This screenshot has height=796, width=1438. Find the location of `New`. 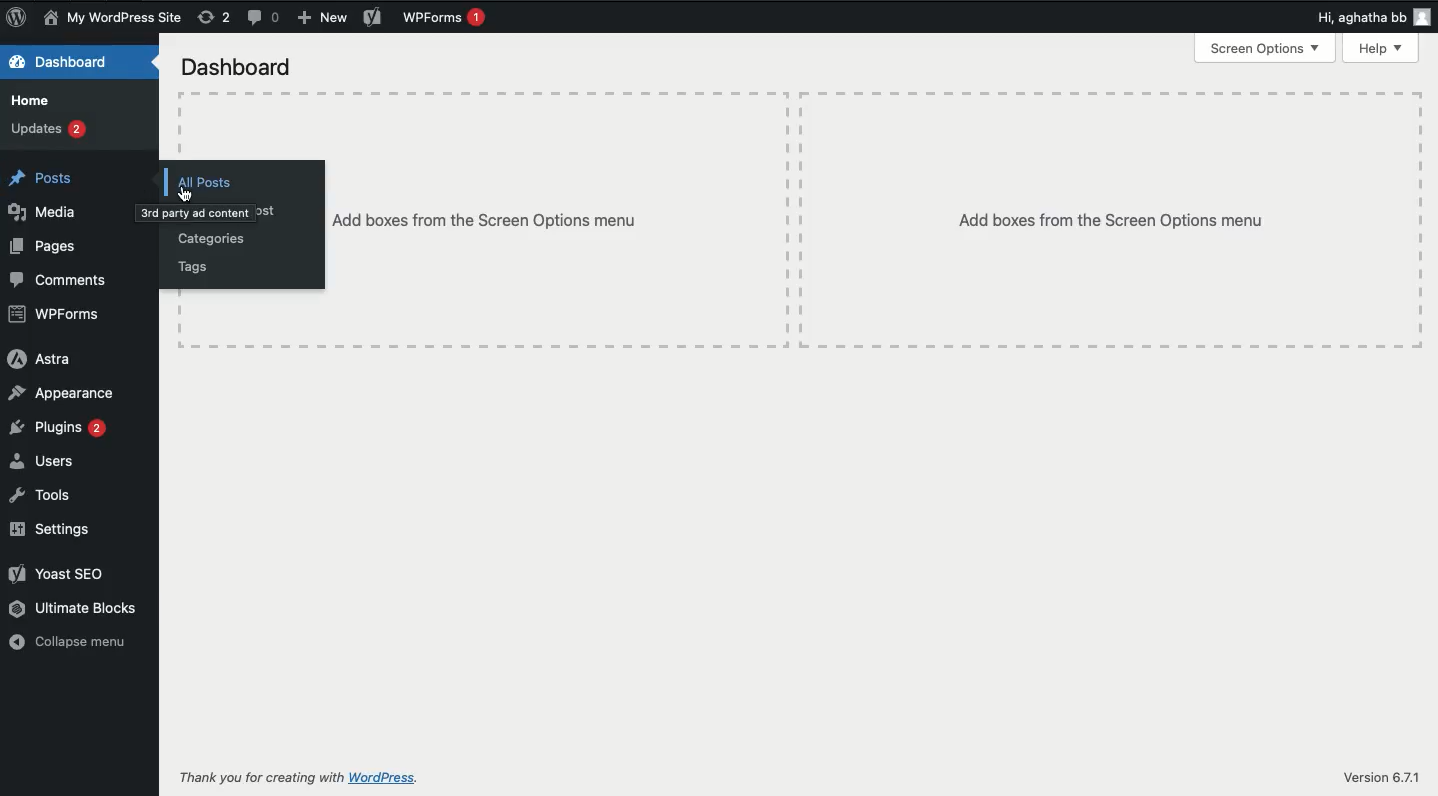

New is located at coordinates (325, 17).